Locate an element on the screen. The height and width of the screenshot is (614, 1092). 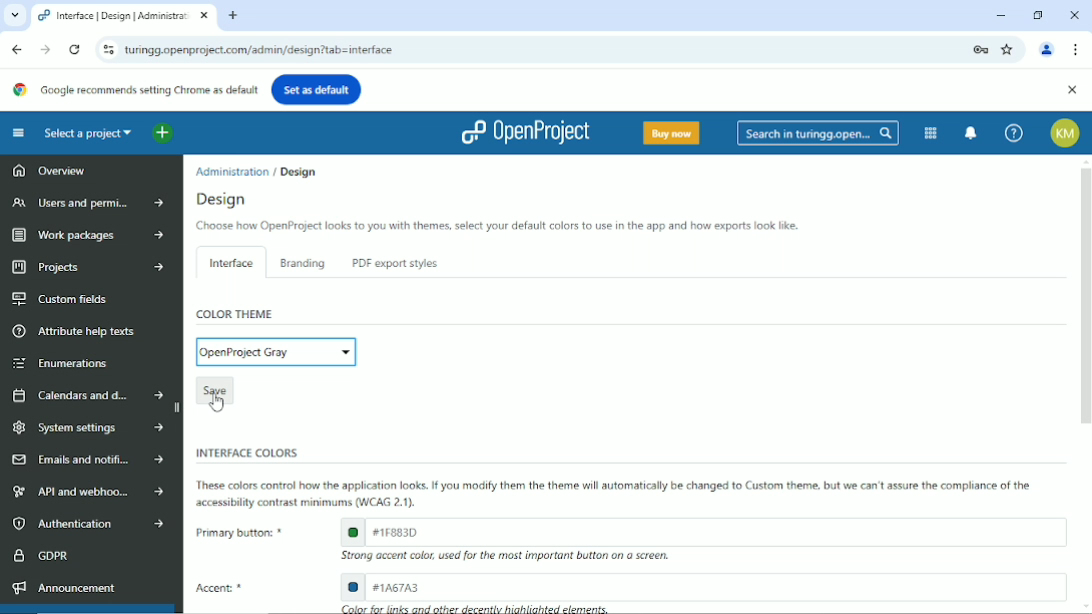
API and webhooks is located at coordinates (84, 492).